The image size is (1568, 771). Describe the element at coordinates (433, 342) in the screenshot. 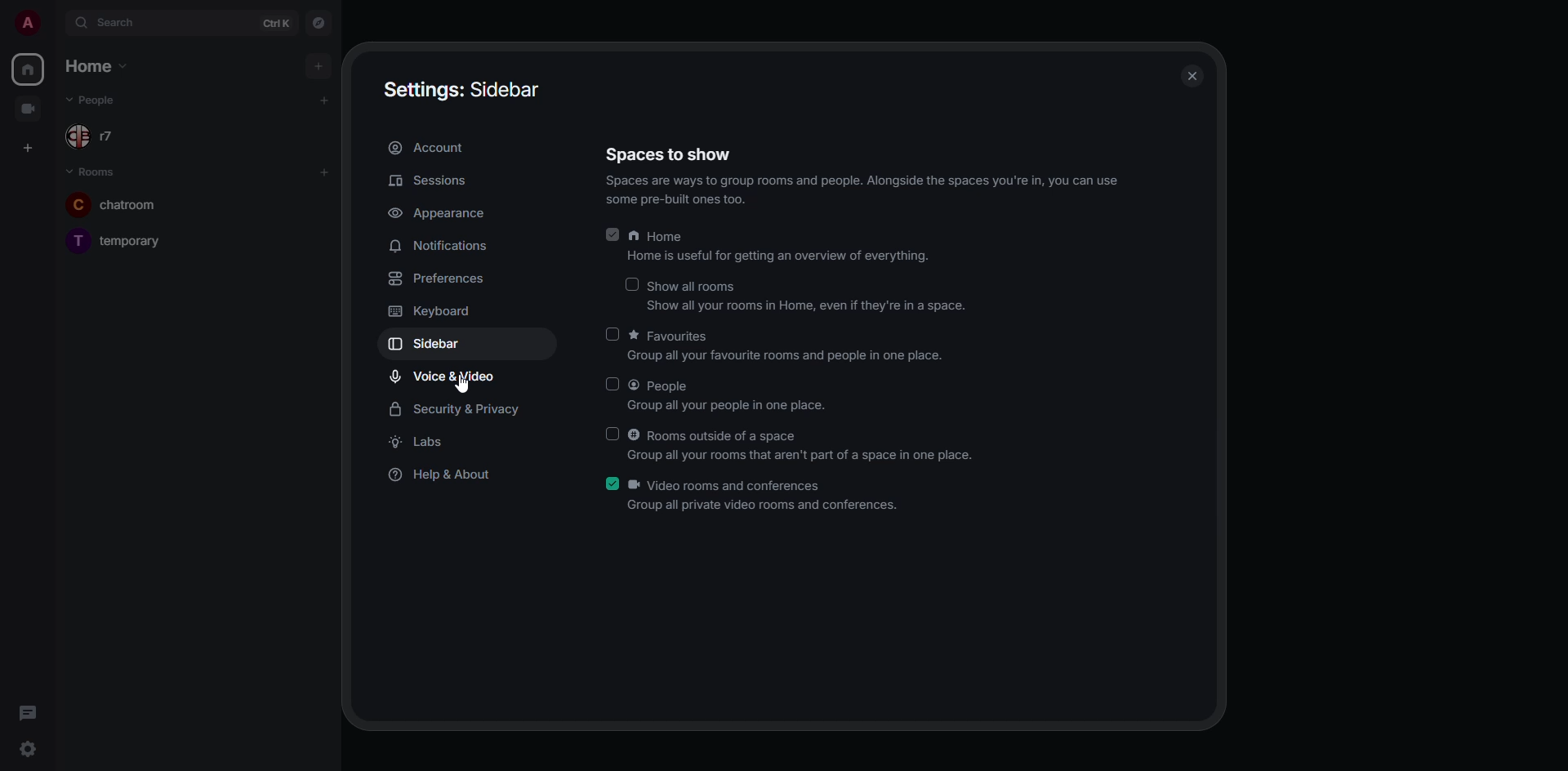

I see `sidebar` at that location.